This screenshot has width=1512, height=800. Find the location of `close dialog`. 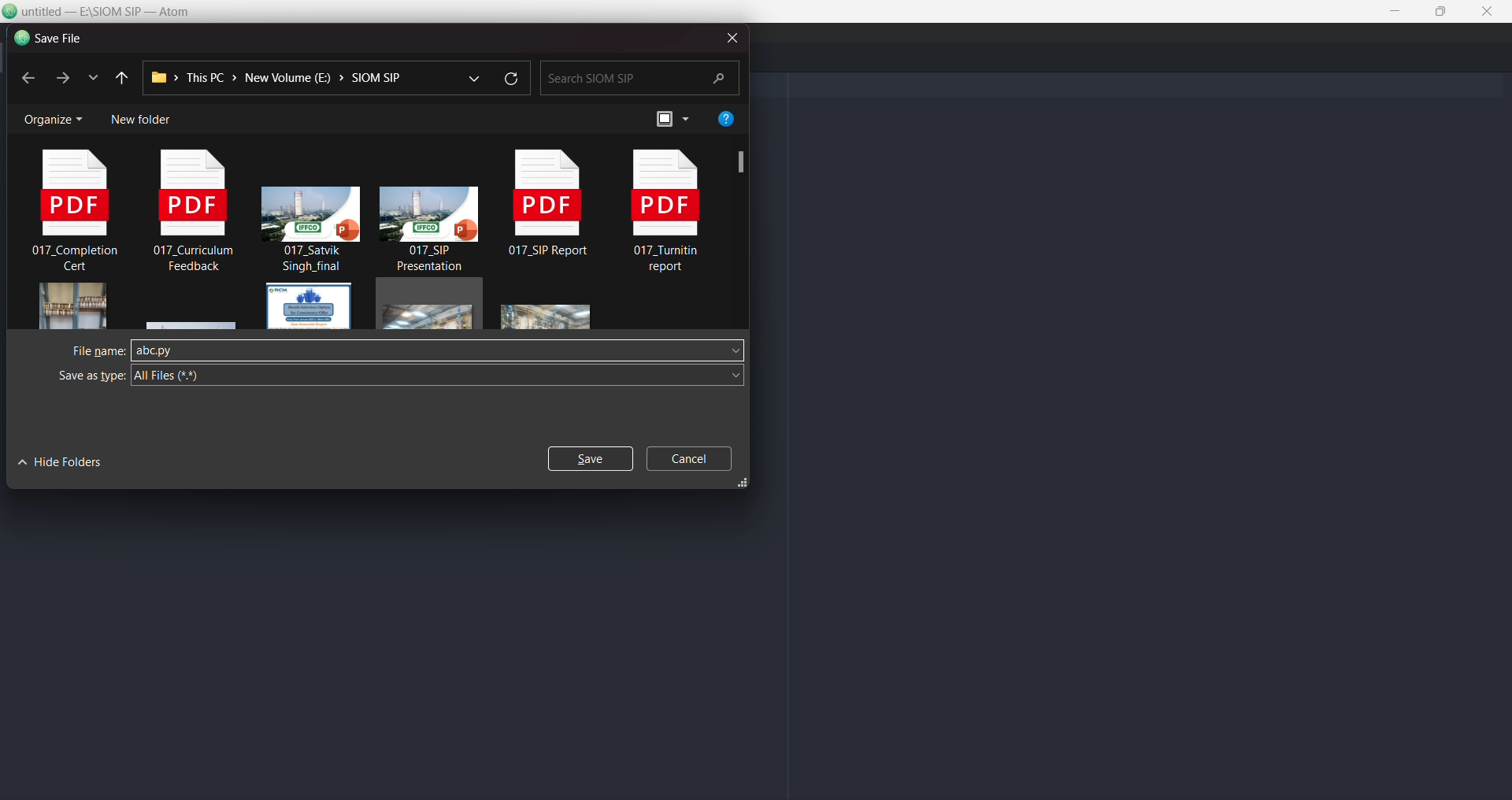

close dialog is located at coordinates (728, 36).